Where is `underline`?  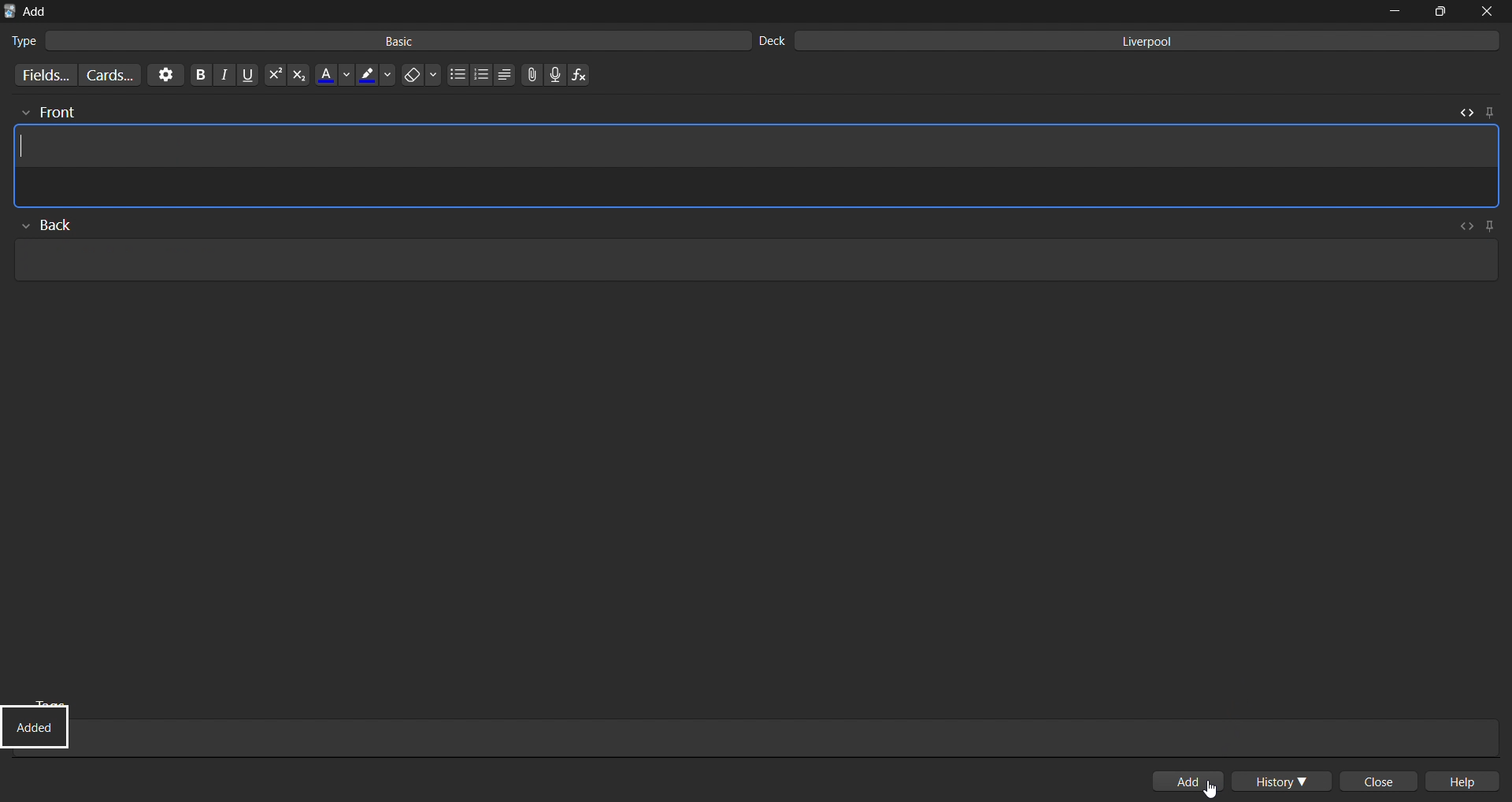 underline is located at coordinates (249, 75).